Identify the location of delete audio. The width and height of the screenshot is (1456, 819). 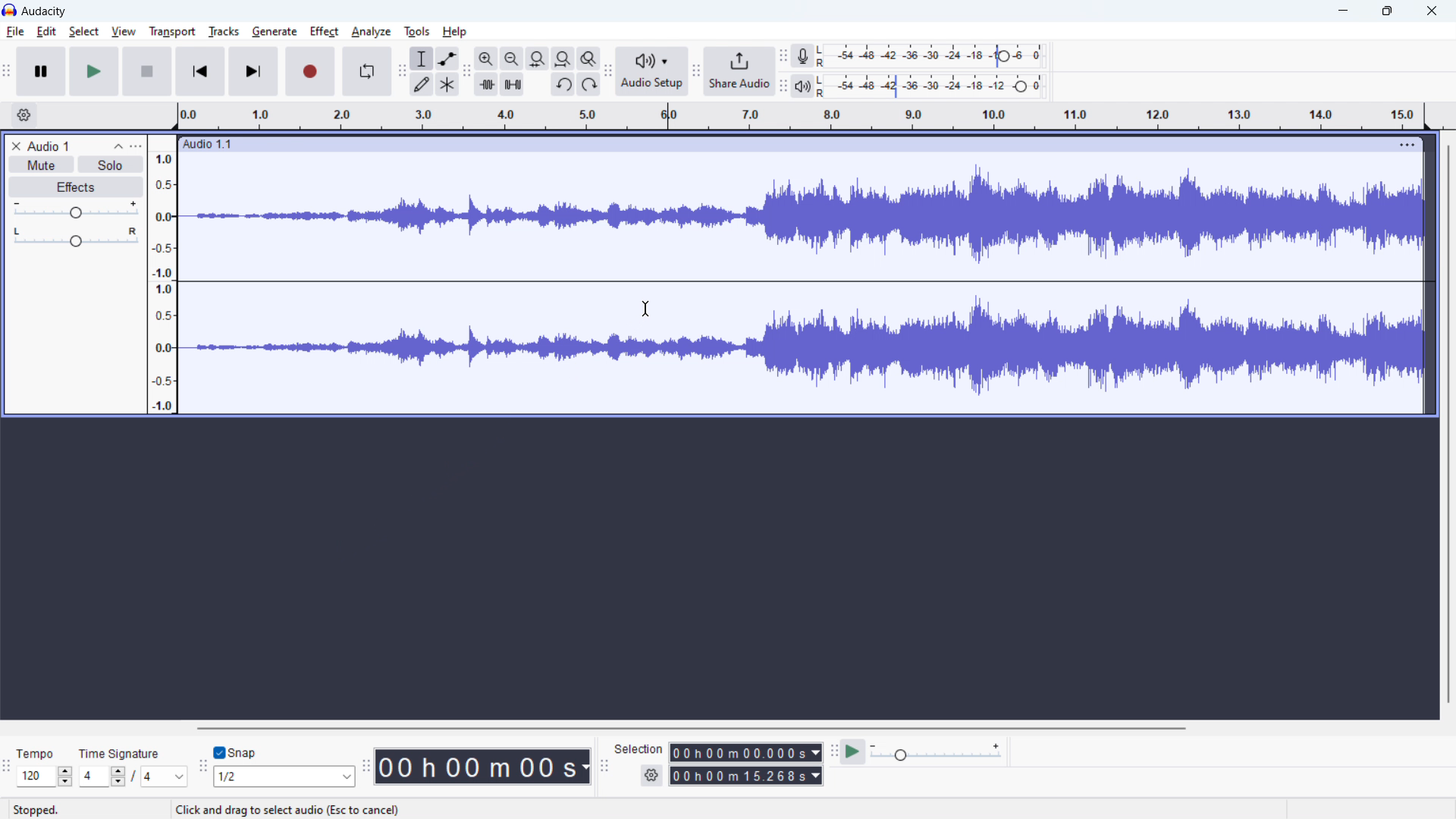
(15, 146).